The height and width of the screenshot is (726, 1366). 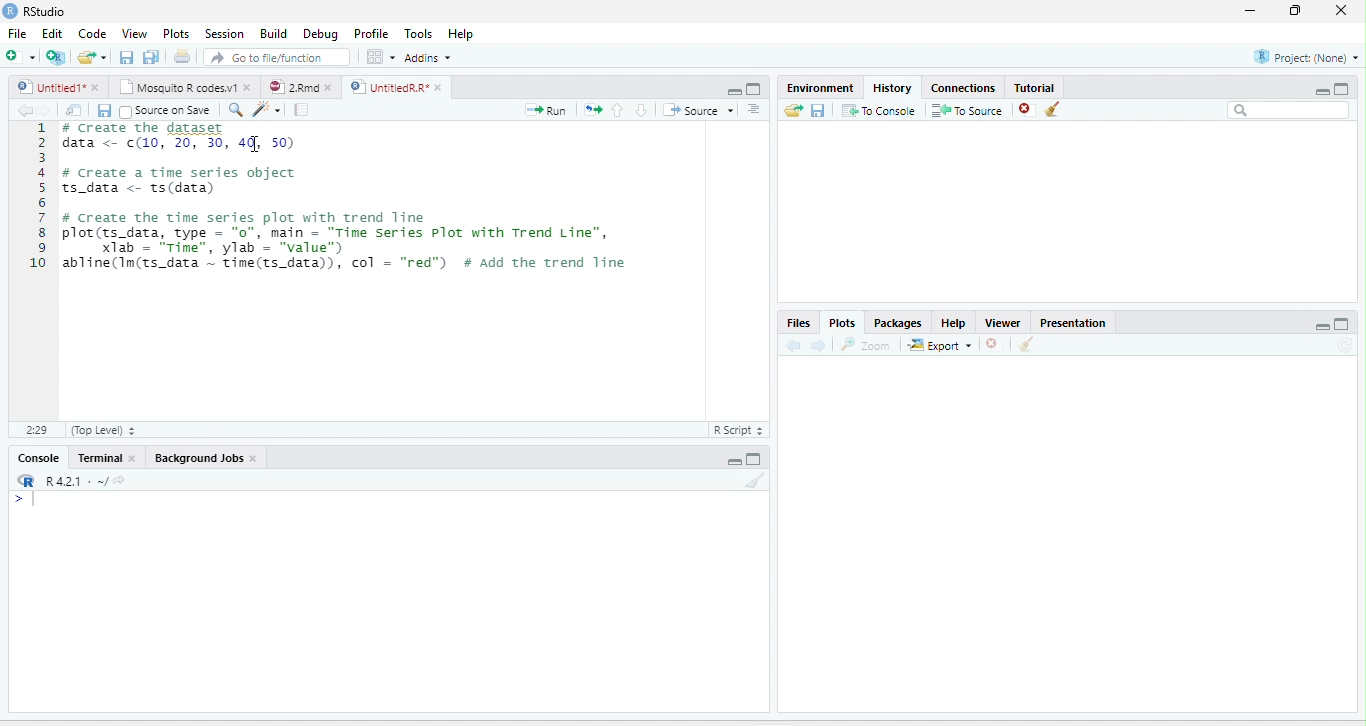 I want to click on Line number, so click(x=36, y=197).